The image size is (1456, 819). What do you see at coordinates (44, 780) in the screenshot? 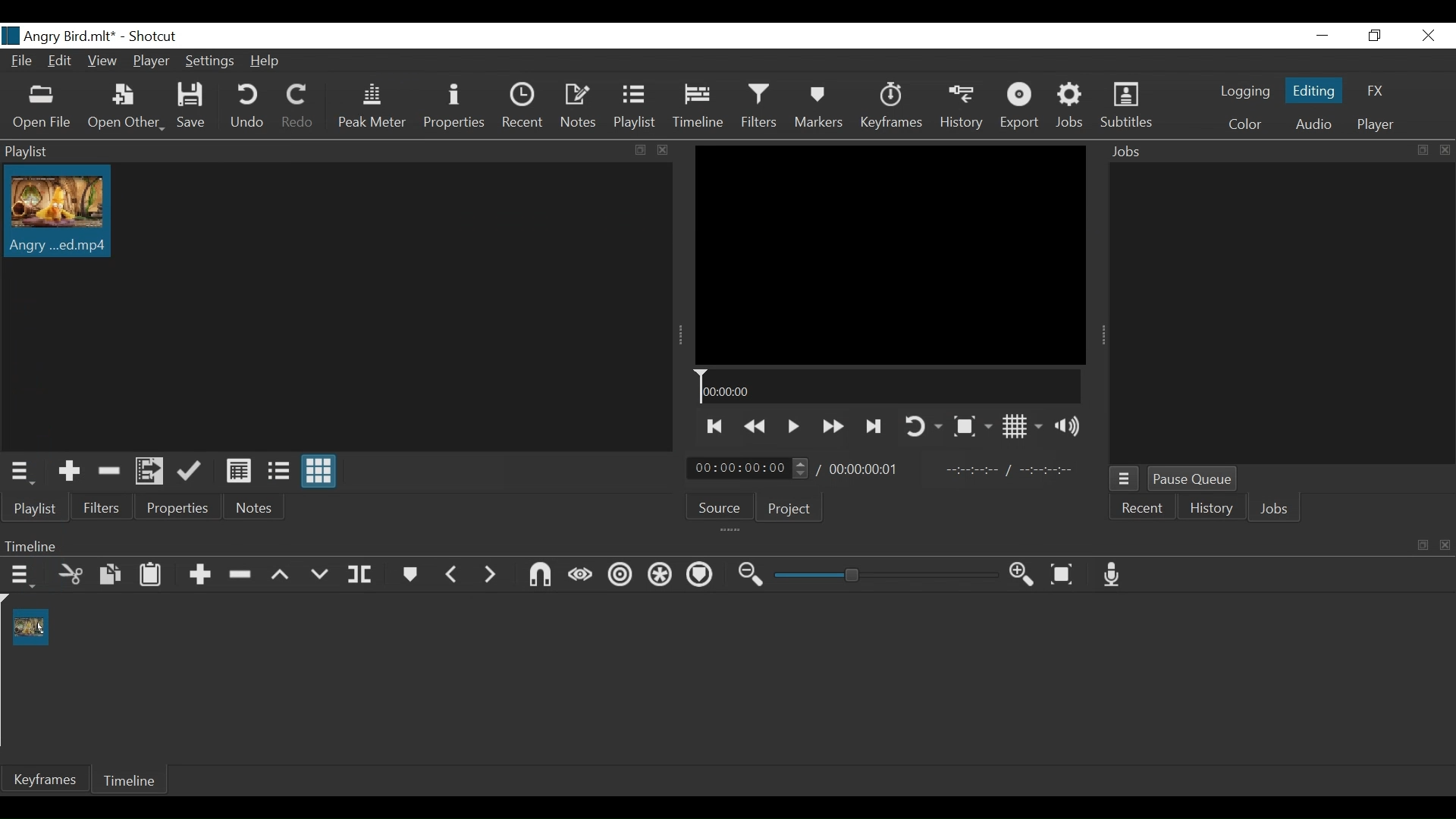
I see `Keyframe` at bounding box center [44, 780].